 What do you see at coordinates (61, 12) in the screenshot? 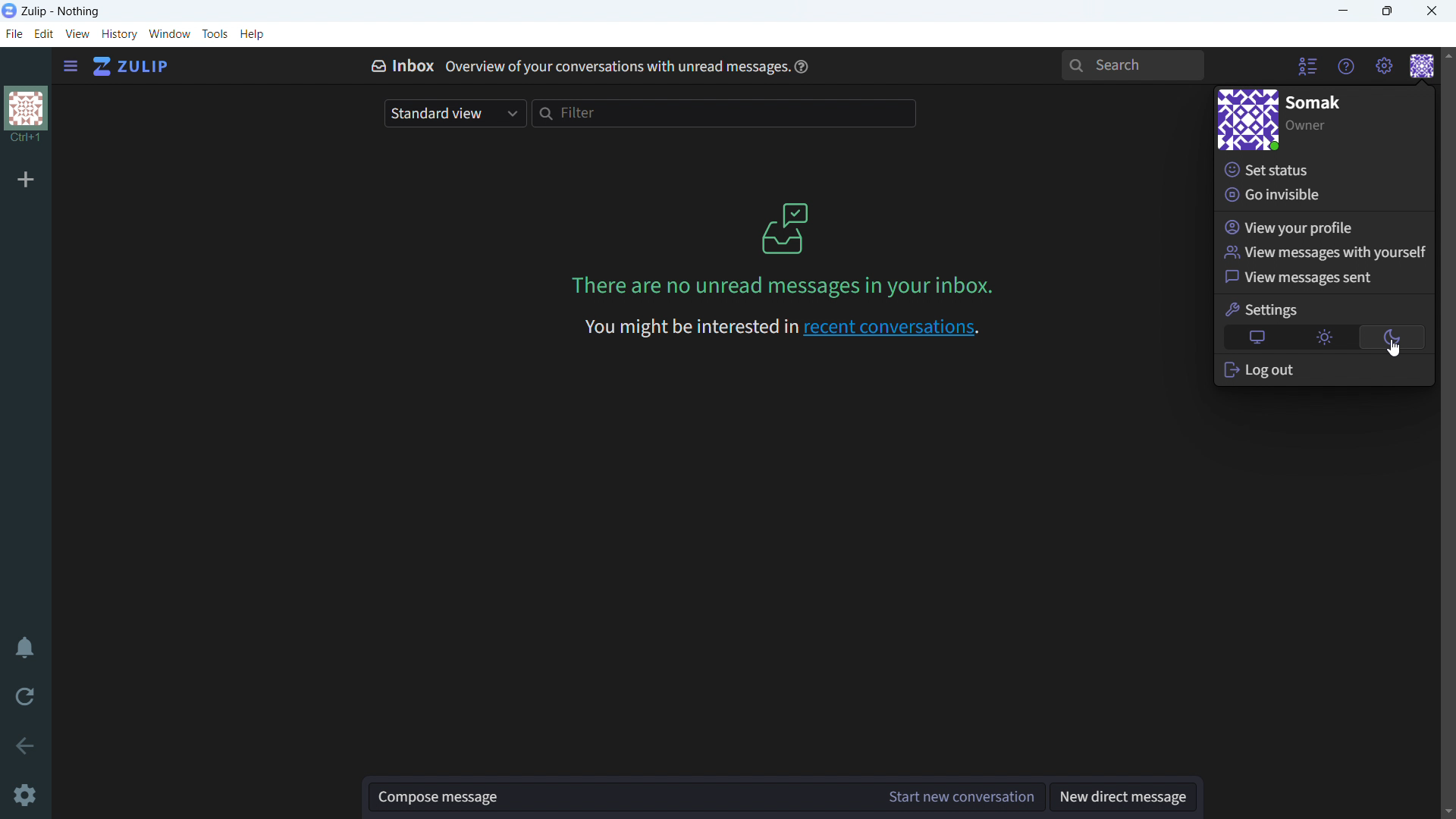
I see `title` at bounding box center [61, 12].